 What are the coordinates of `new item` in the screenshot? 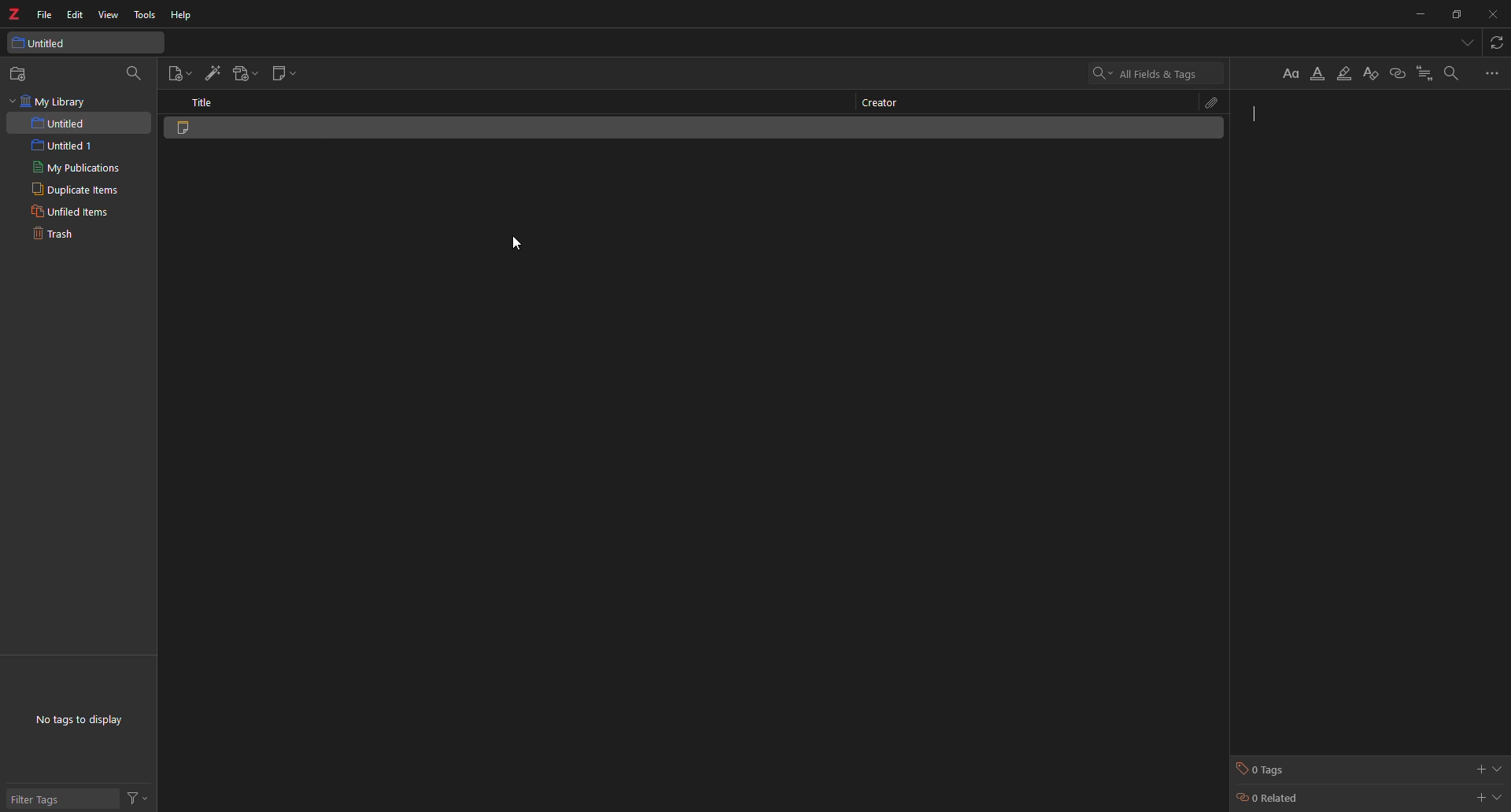 It's located at (178, 73).